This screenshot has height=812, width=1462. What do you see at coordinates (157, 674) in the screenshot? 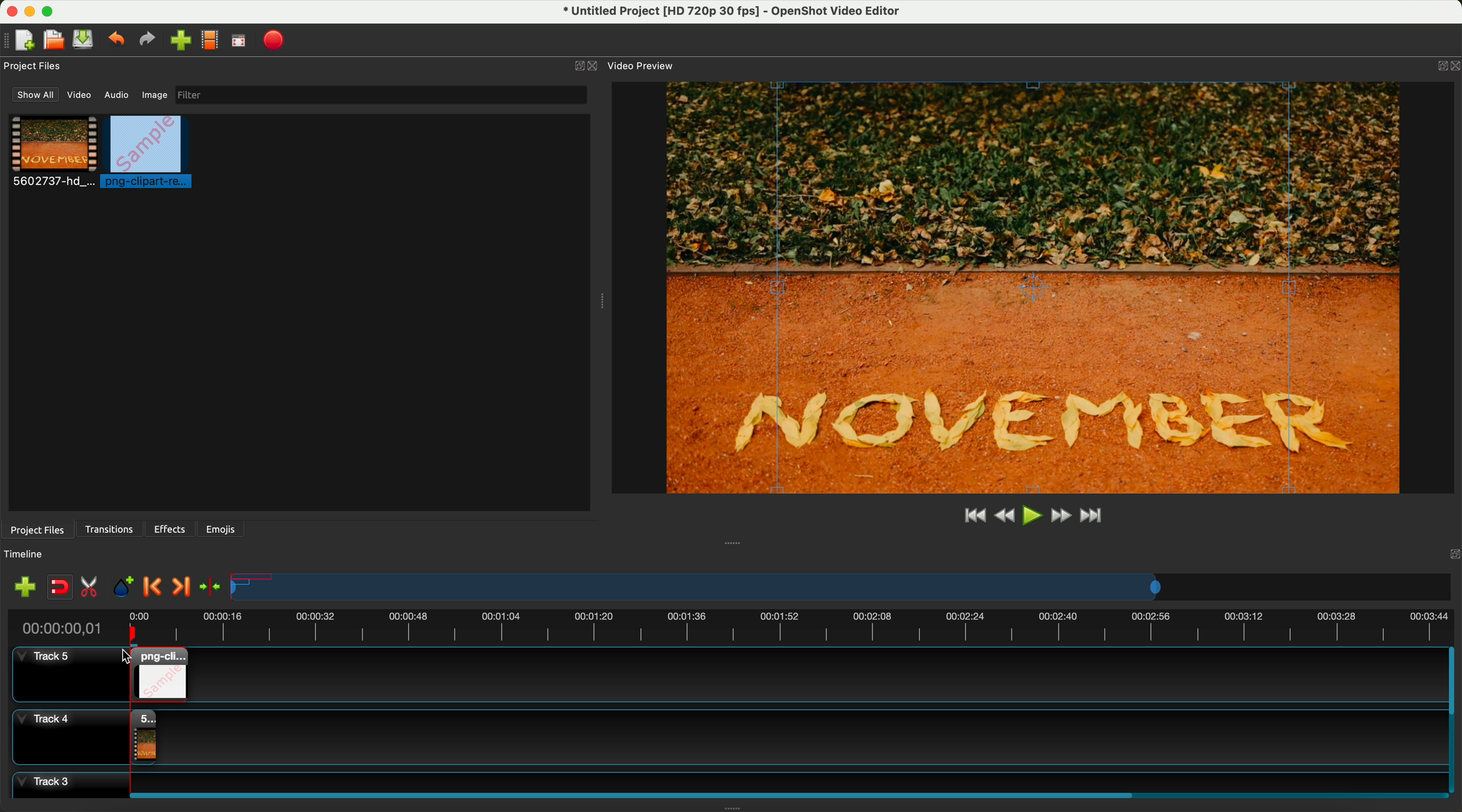
I see `drag image on track 5` at bounding box center [157, 674].